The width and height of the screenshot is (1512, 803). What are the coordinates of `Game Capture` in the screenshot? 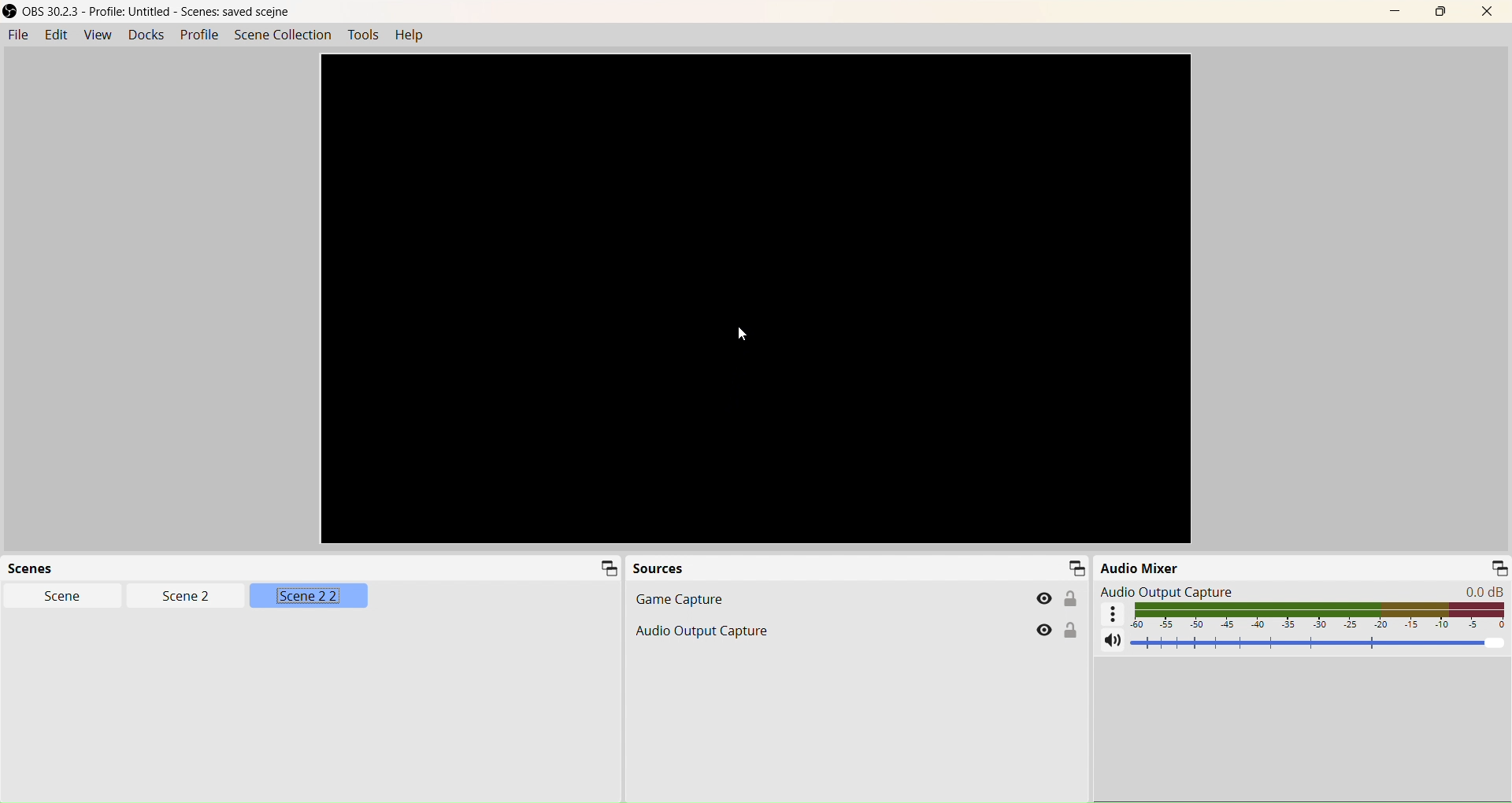 It's located at (854, 598).